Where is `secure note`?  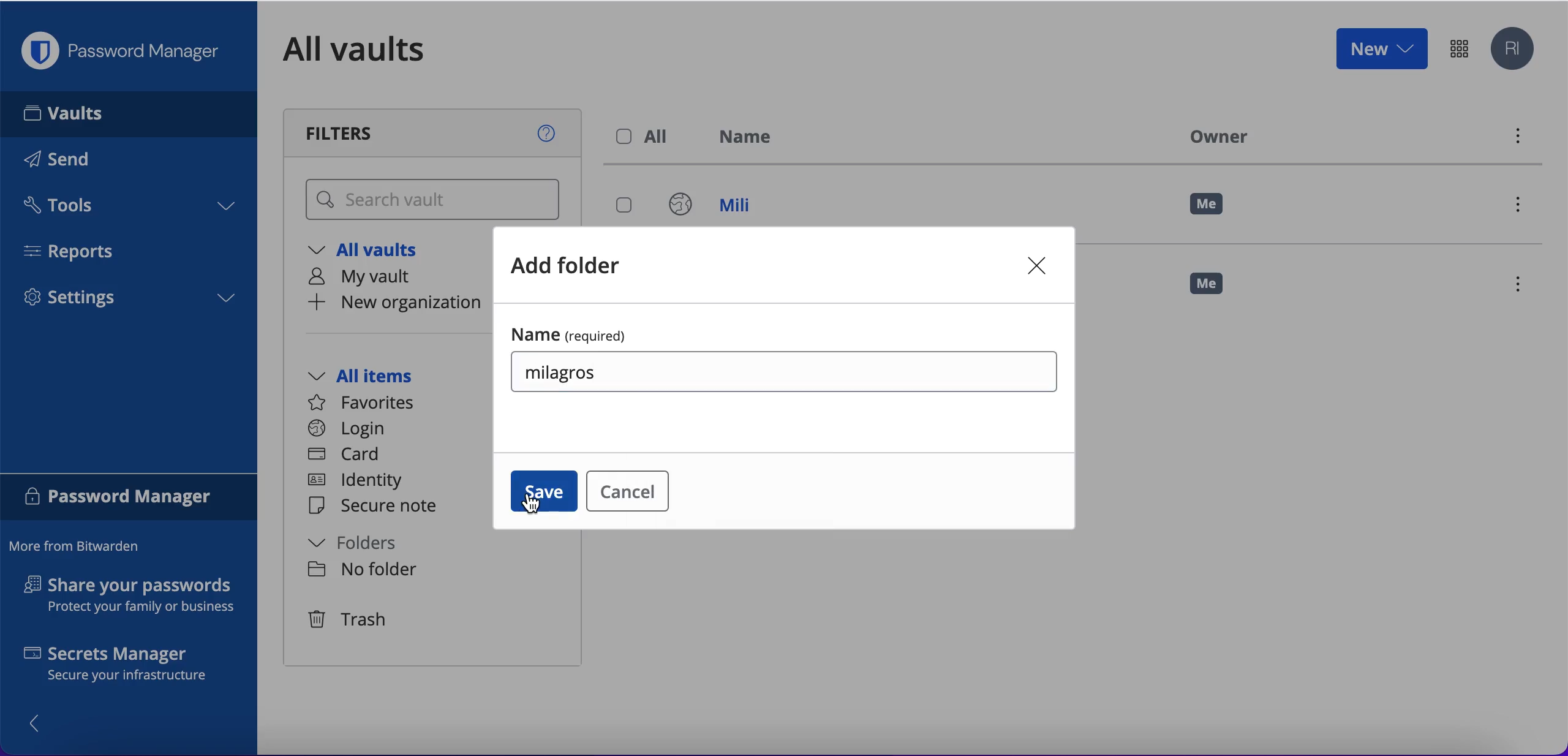
secure note is located at coordinates (379, 507).